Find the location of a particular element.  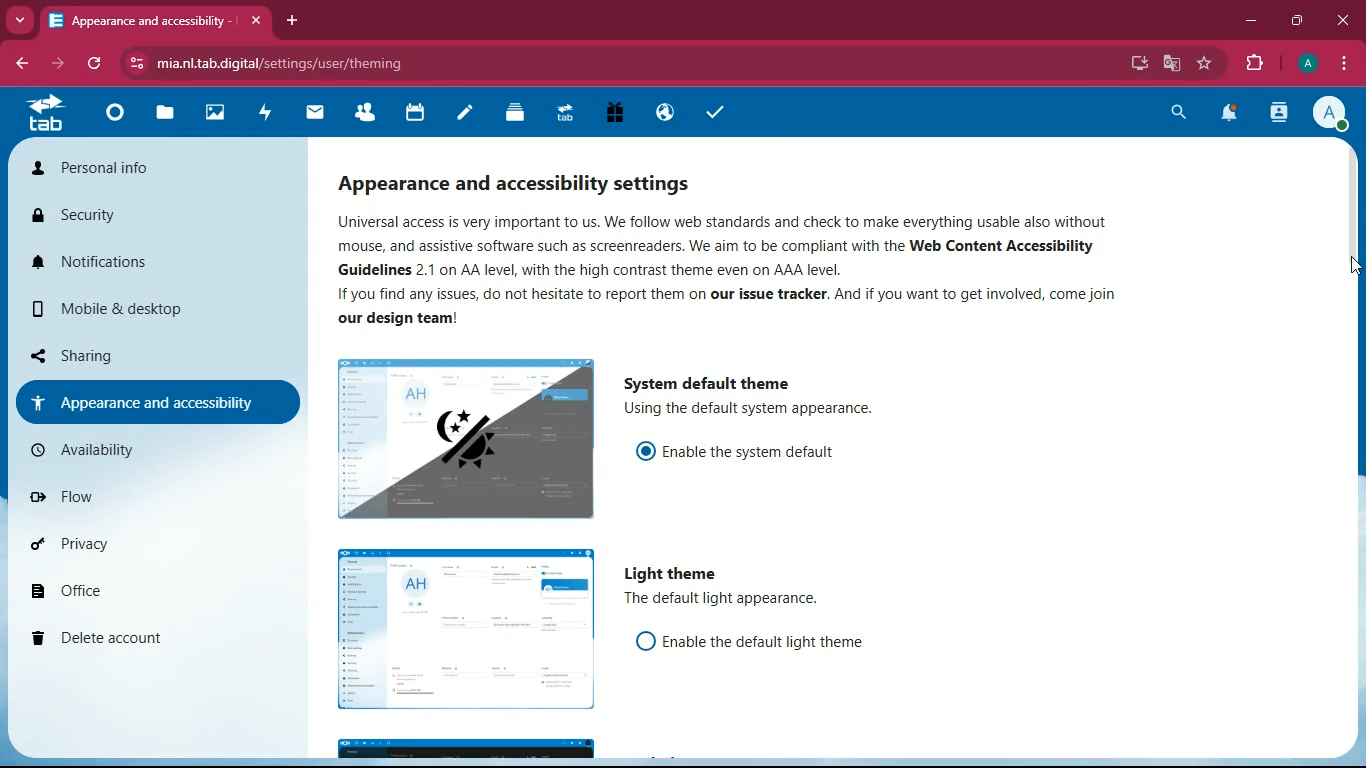

sharing is located at coordinates (146, 356).